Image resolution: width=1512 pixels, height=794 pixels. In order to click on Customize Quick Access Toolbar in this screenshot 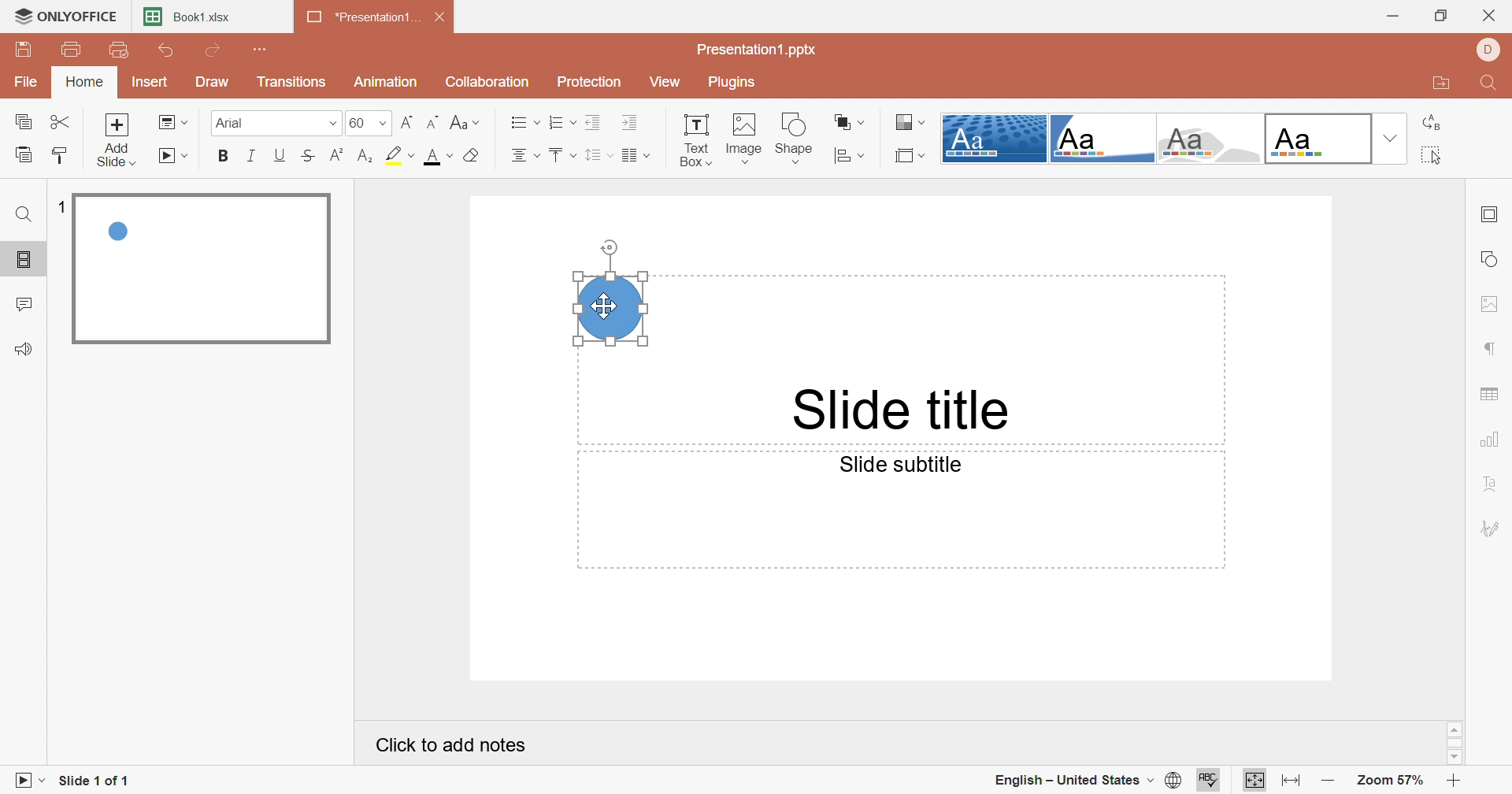, I will do `click(262, 49)`.